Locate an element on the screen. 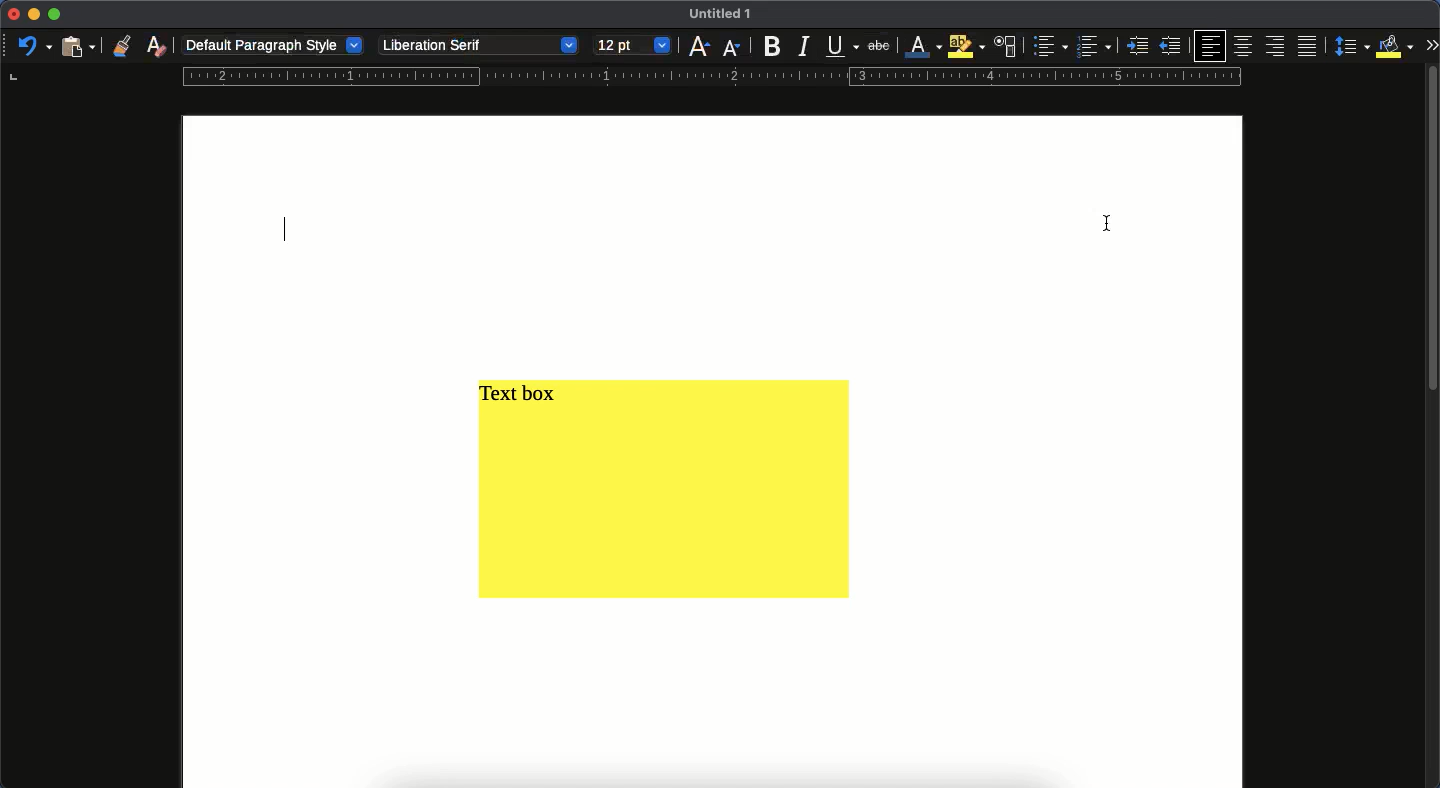 The image size is (1440, 788). left align is located at coordinates (1212, 46).